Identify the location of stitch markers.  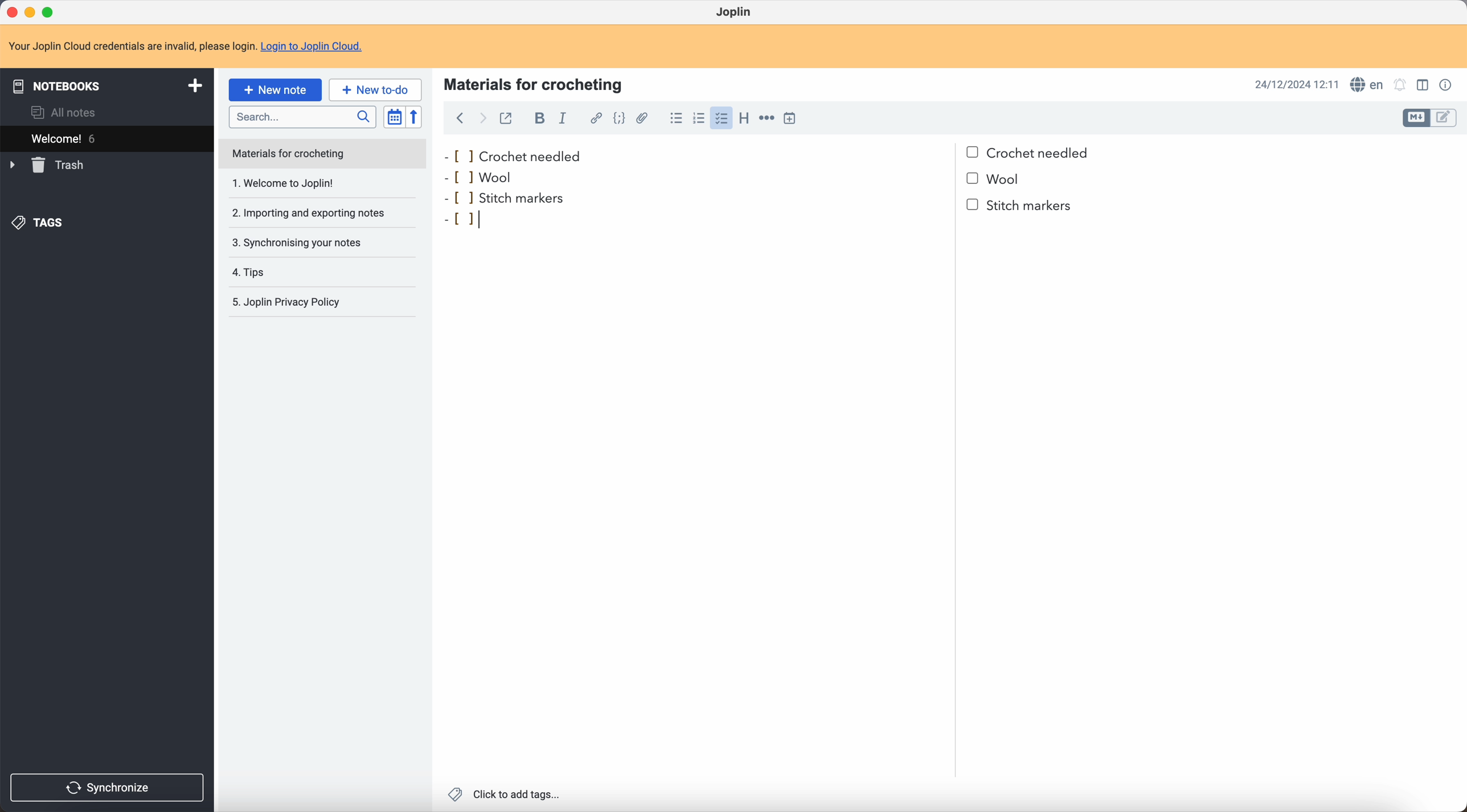
(526, 198).